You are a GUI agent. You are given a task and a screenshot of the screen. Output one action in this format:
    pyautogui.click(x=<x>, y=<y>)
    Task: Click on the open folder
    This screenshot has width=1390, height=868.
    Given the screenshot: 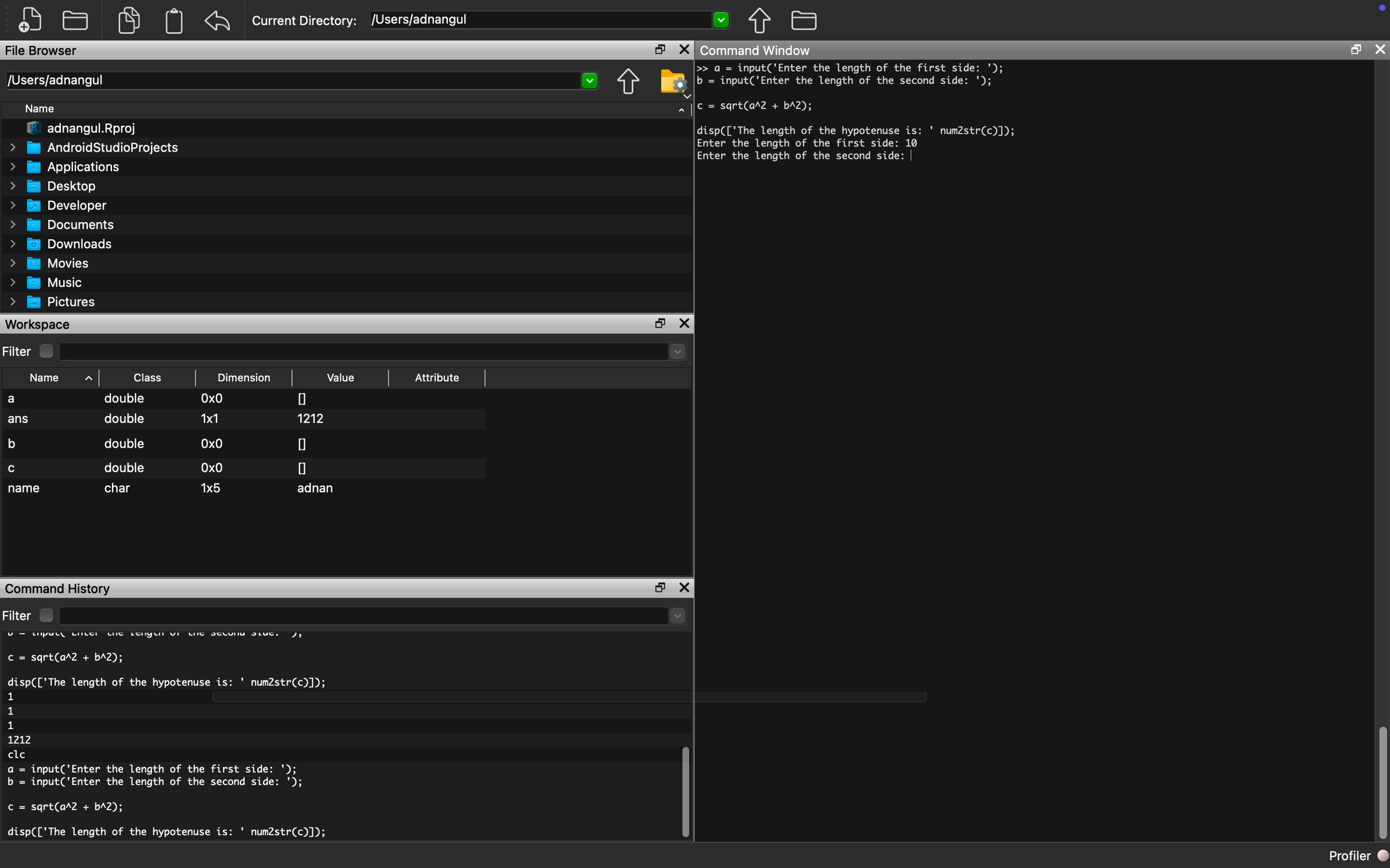 What is the action you would take?
    pyautogui.click(x=77, y=19)
    